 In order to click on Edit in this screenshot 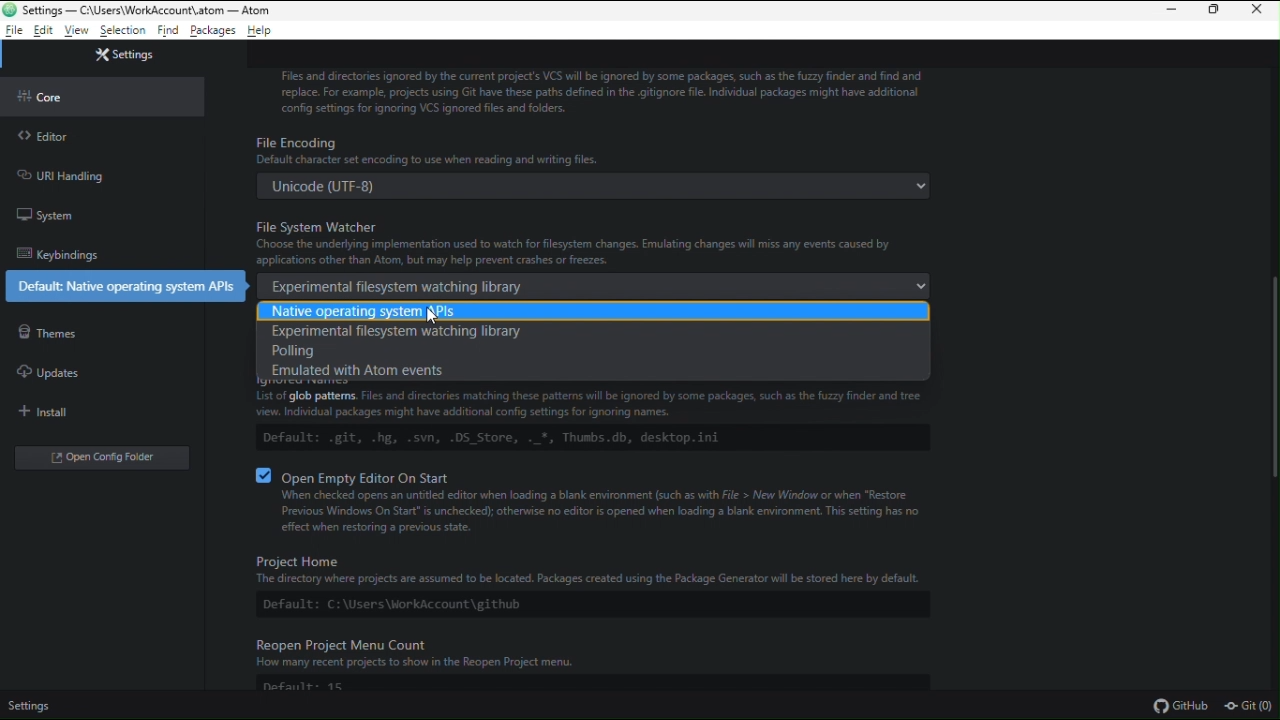, I will do `click(44, 31)`.